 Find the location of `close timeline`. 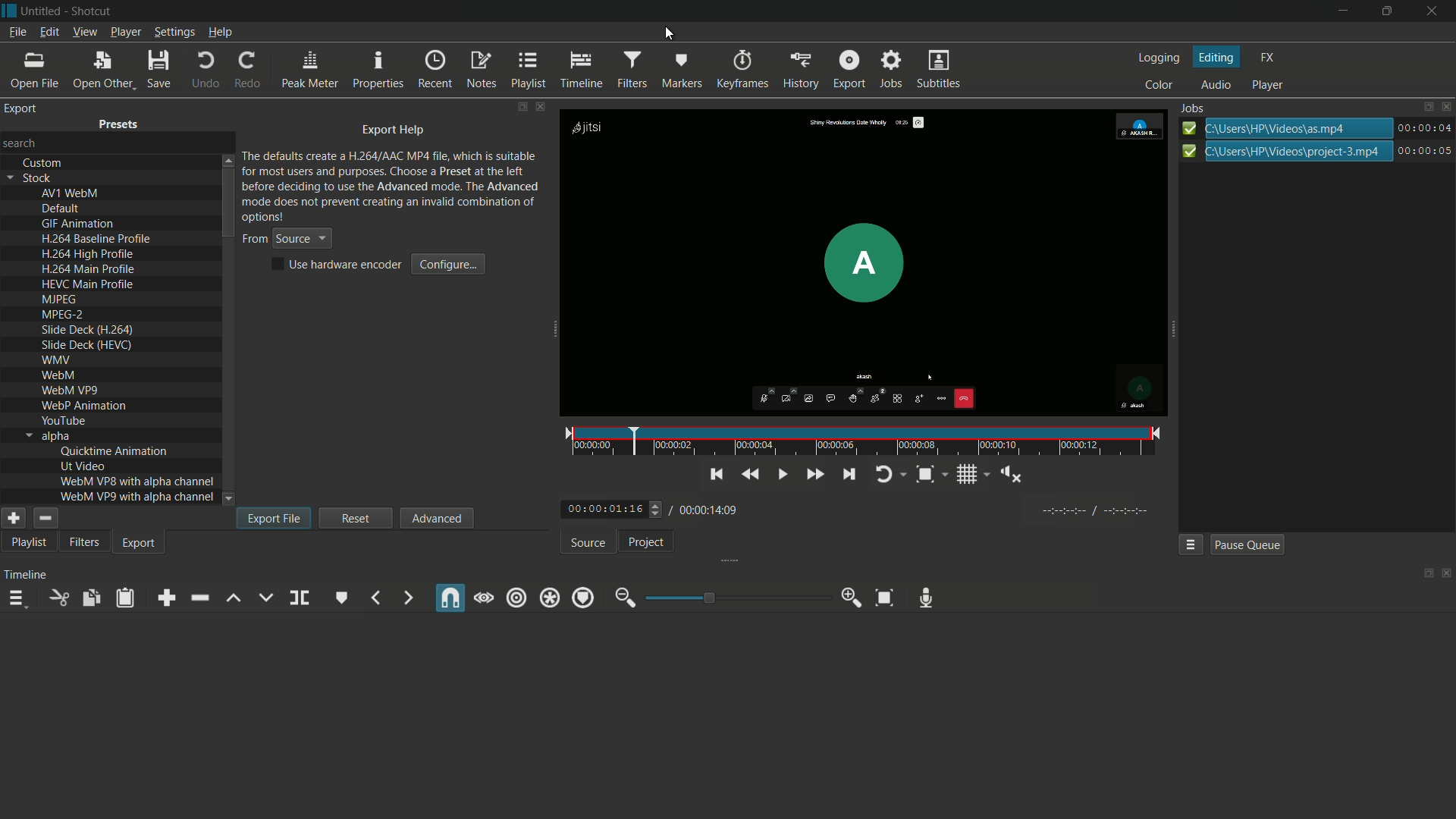

close timeline is located at coordinates (1447, 575).